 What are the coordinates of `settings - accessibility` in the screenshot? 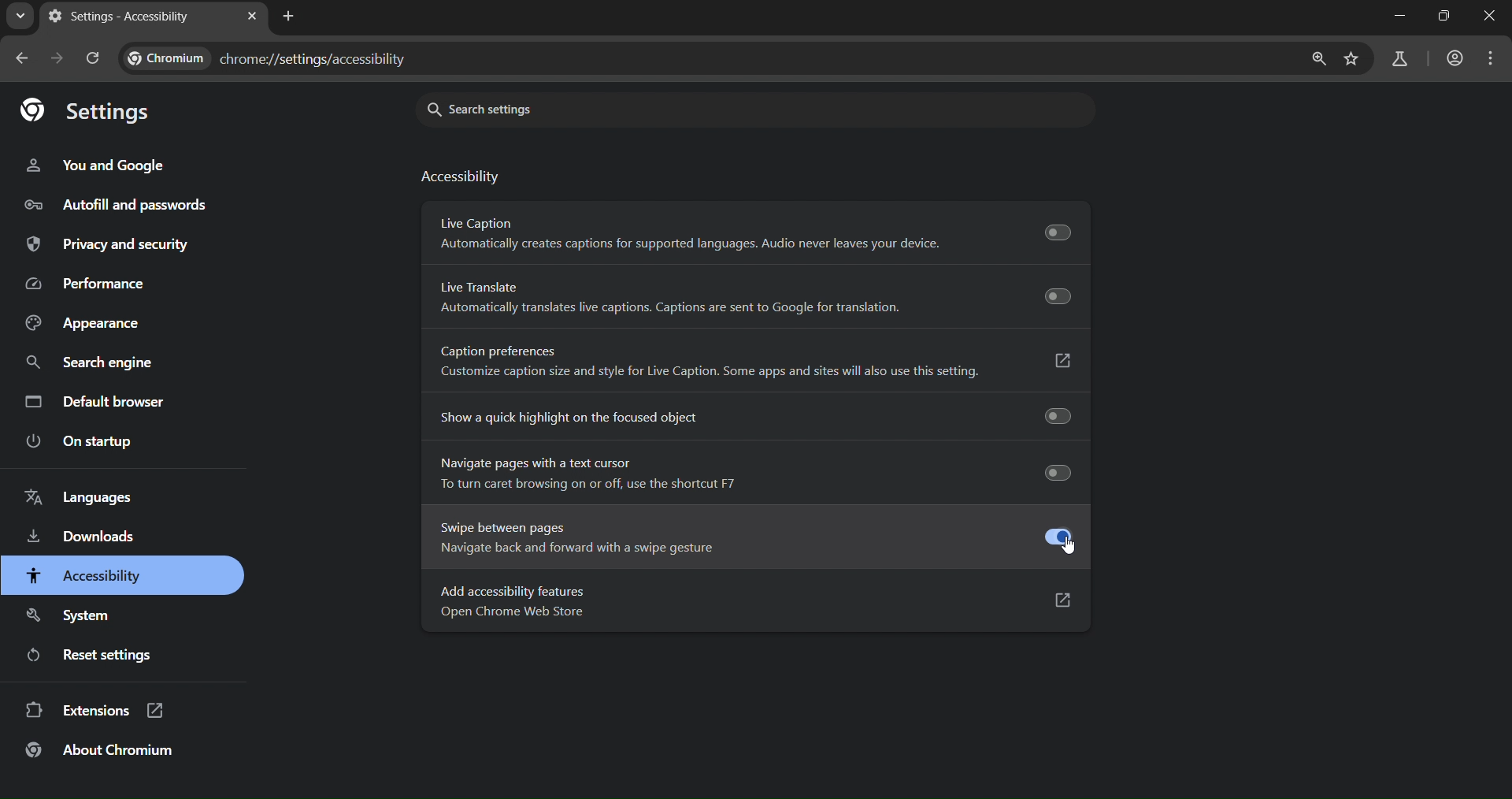 It's located at (121, 17).